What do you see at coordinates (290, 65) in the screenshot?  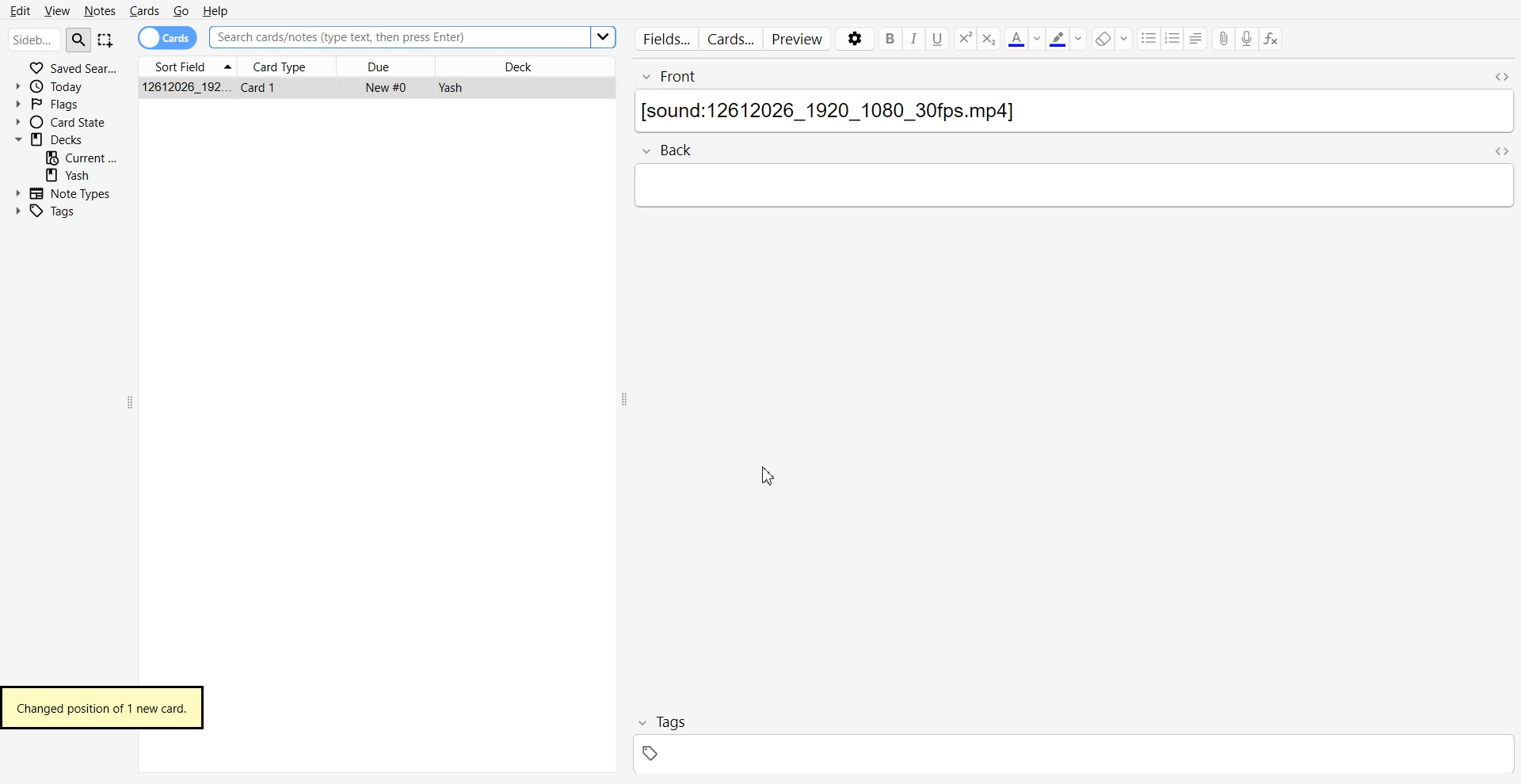 I see `Card Type` at bounding box center [290, 65].